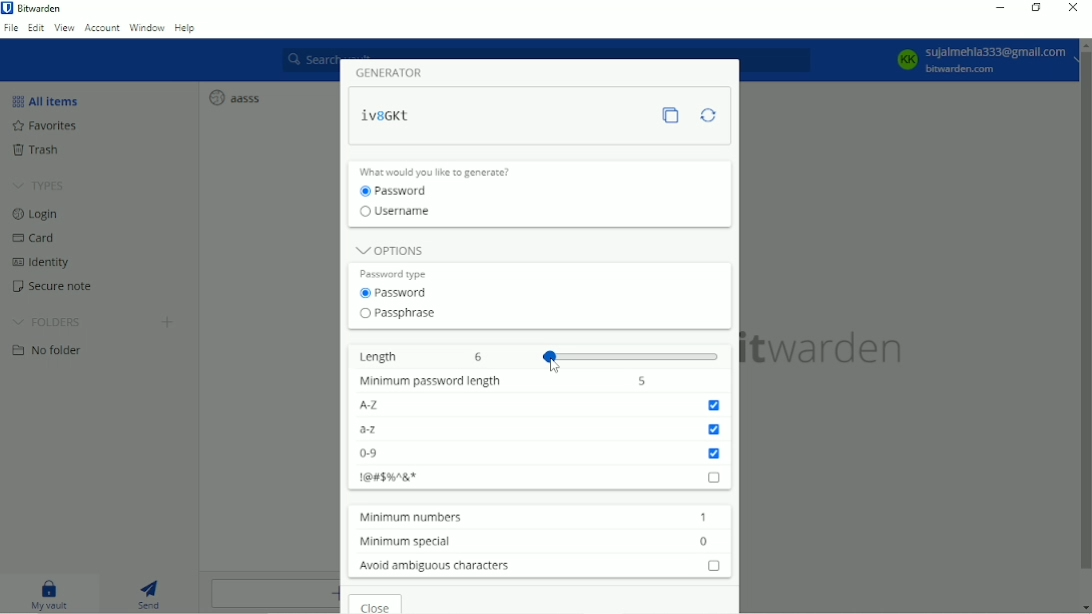  I want to click on Minimum special, so click(401, 540).